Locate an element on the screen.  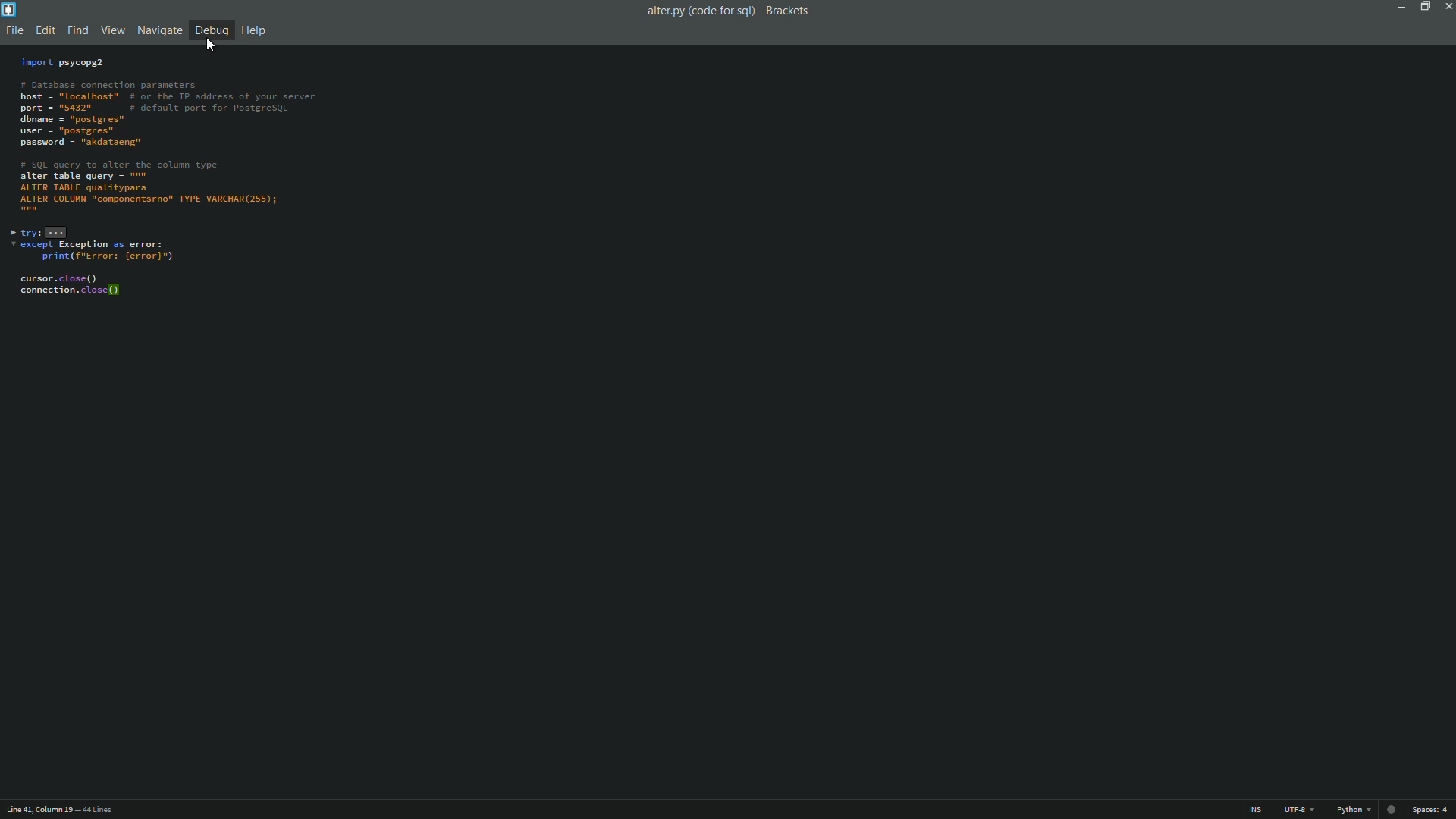
Space is located at coordinates (1433, 811).